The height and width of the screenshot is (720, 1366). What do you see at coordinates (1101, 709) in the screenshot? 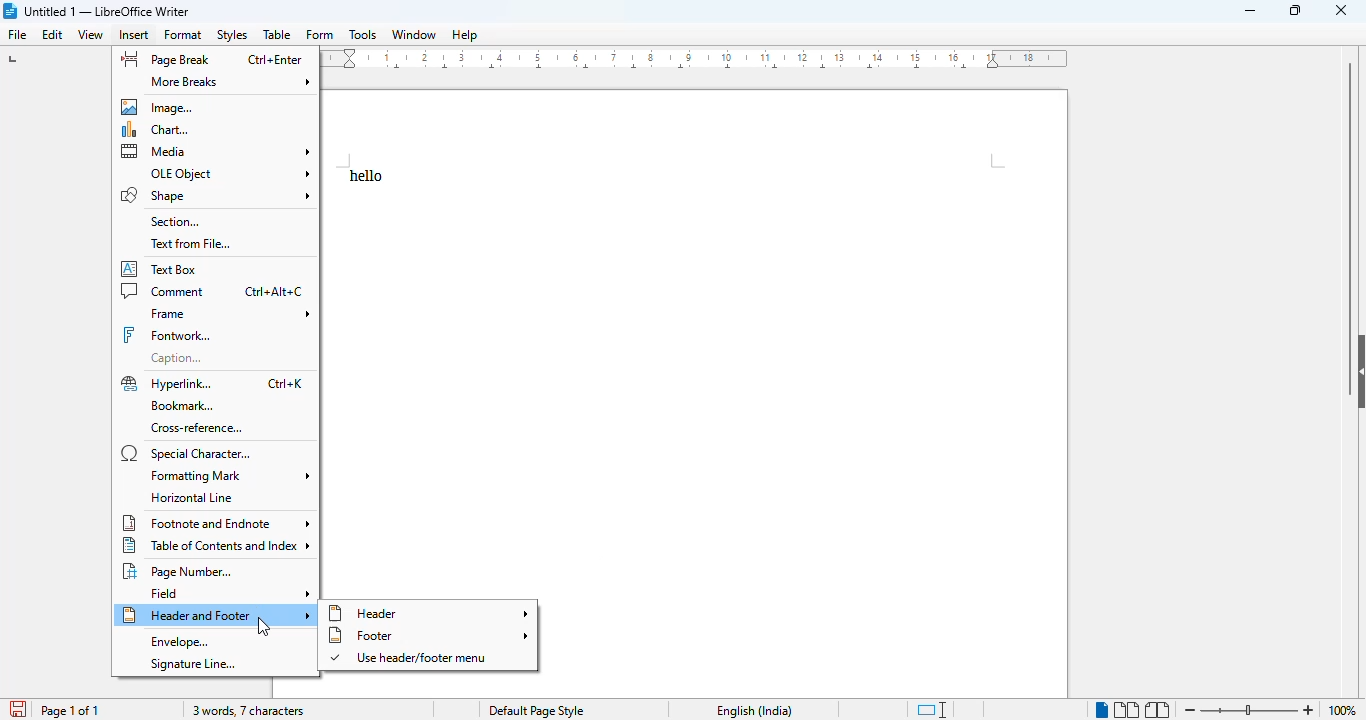
I see `single-page view` at bounding box center [1101, 709].